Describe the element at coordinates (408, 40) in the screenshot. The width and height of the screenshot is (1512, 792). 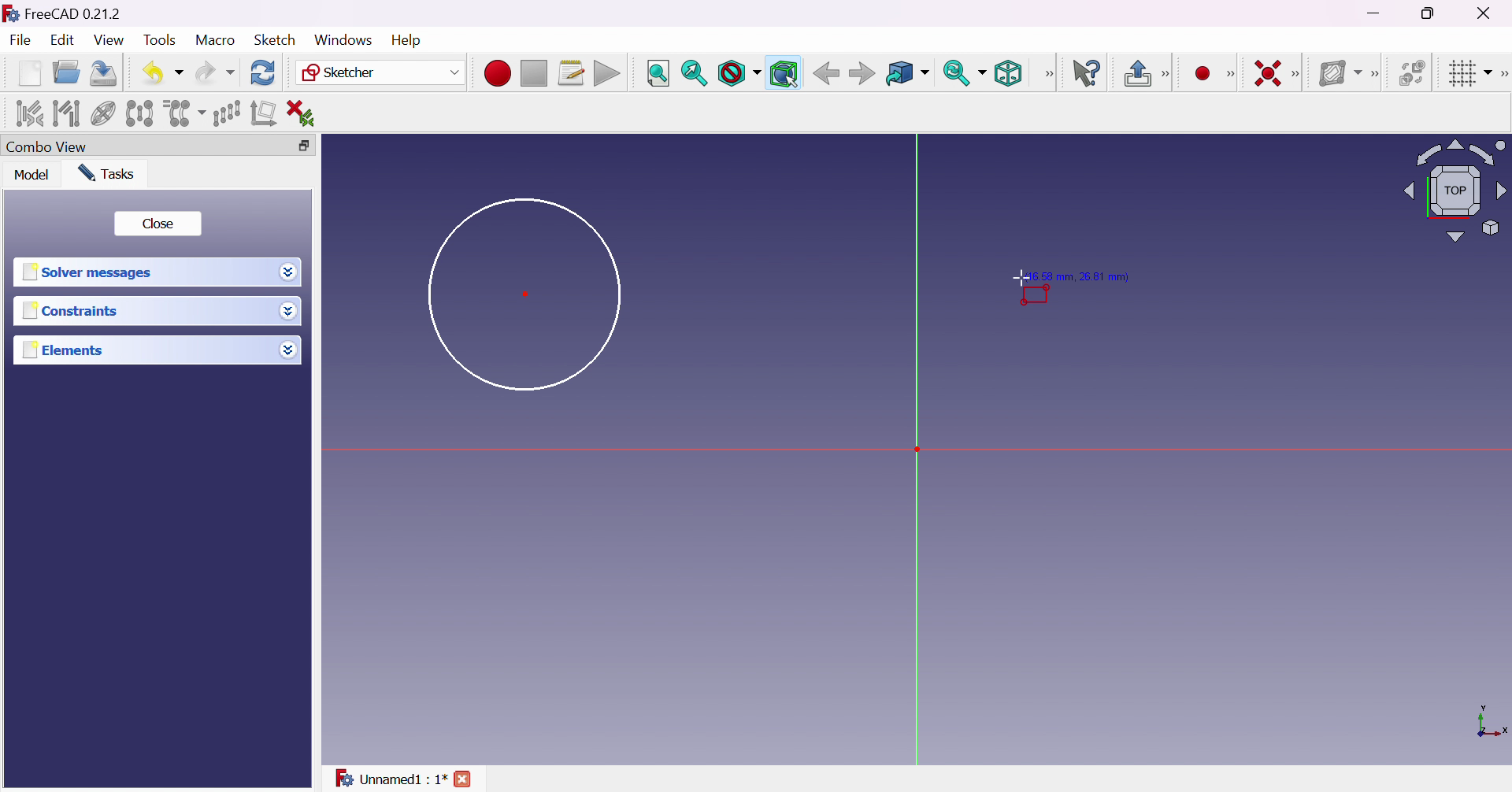
I see `Help` at that location.